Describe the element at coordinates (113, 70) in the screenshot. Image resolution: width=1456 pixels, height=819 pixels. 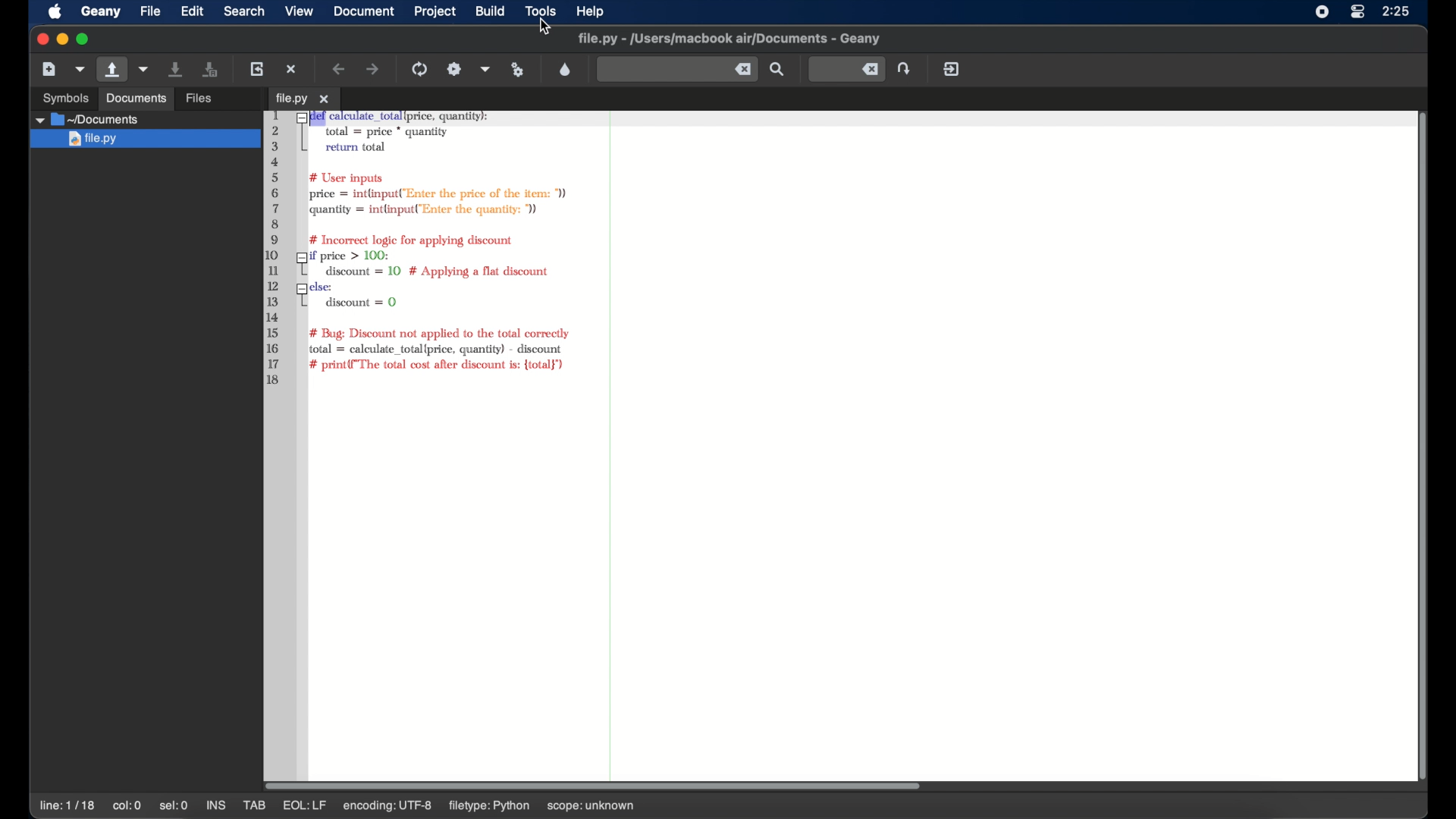
I see `open an existing file` at that location.